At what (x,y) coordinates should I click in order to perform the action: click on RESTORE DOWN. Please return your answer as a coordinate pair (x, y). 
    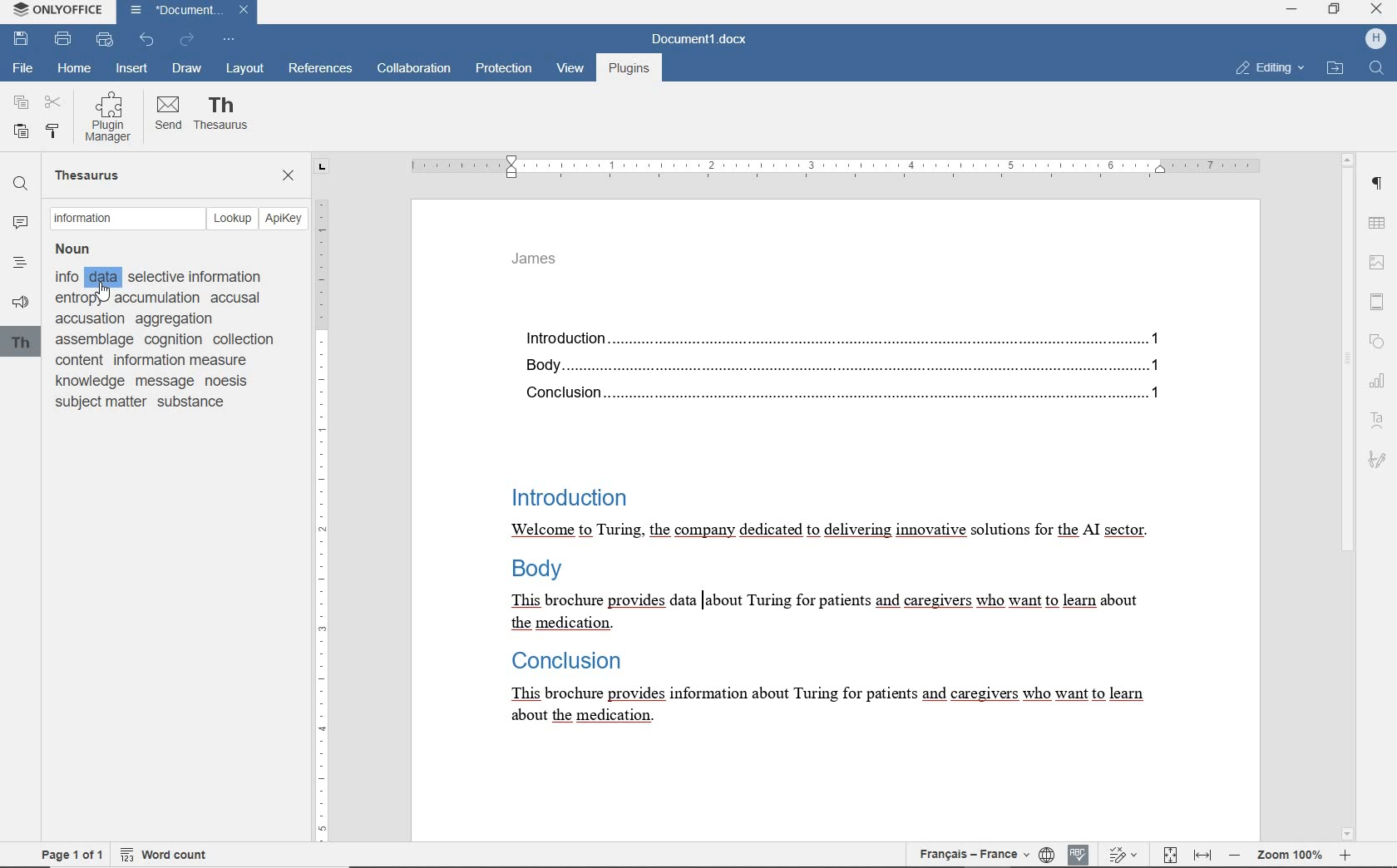
    Looking at the image, I should click on (1335, 9).